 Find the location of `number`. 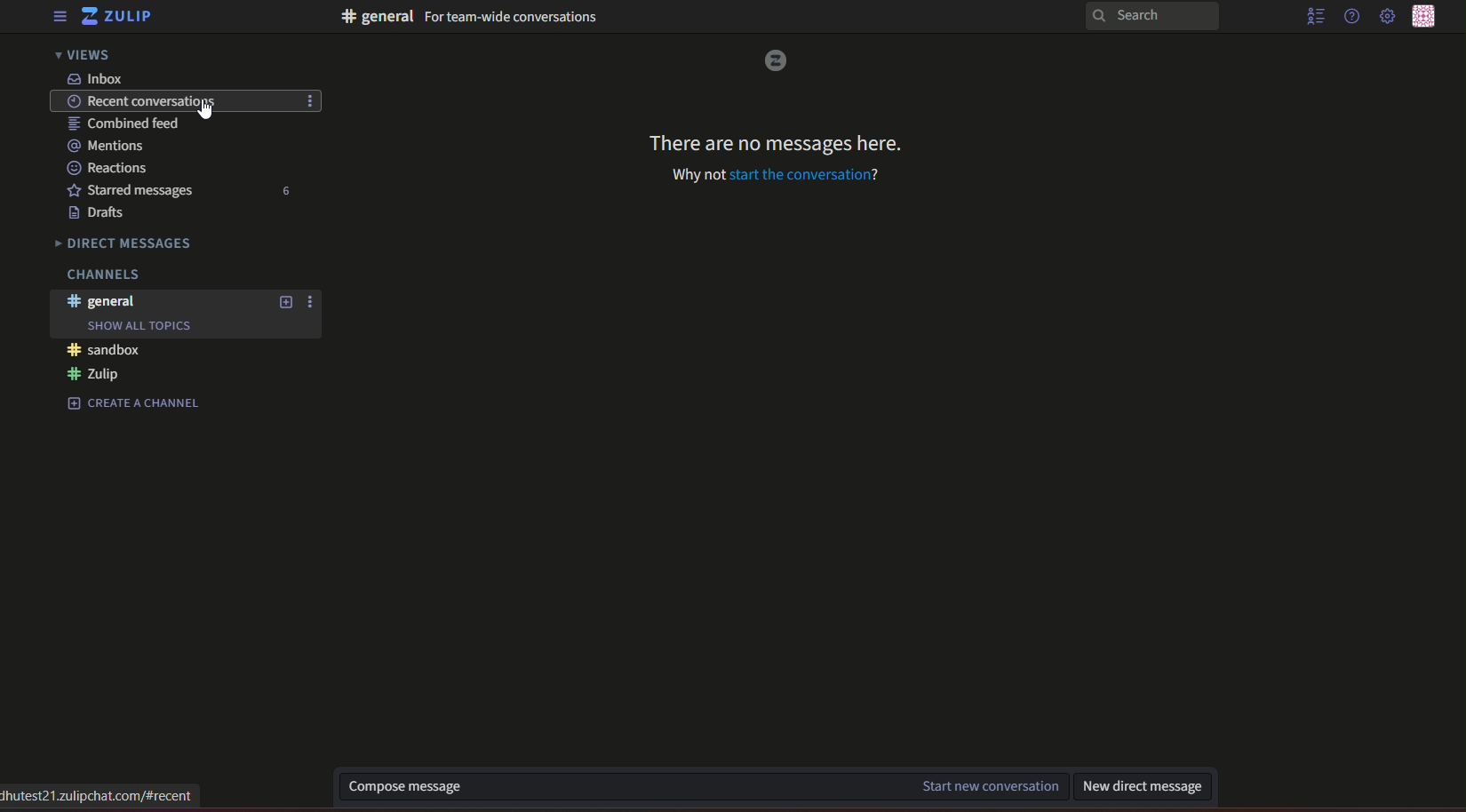

number is located at coordinates (288, 191).